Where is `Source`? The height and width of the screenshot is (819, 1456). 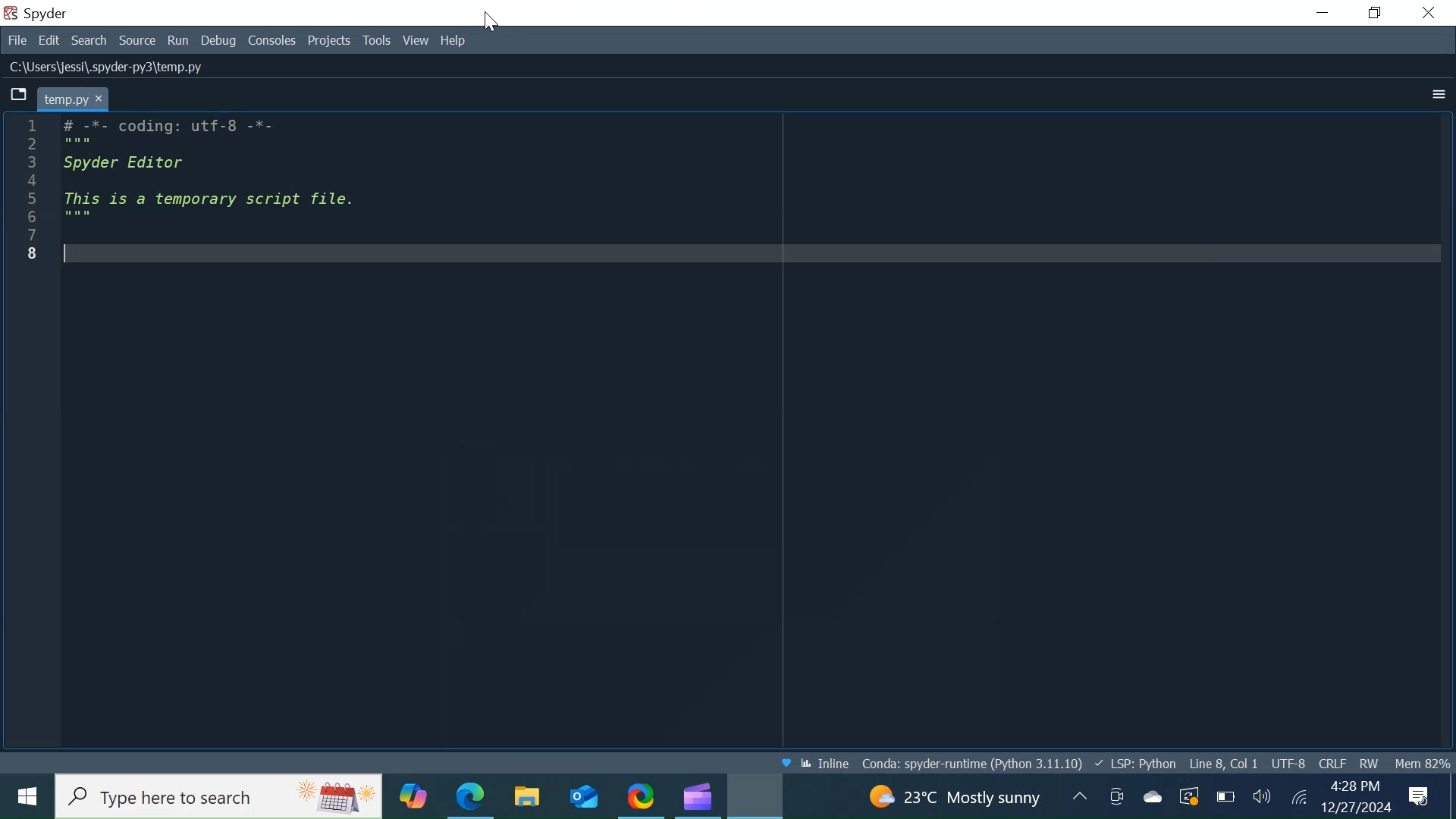
Source is located at coordinates (136, 42).